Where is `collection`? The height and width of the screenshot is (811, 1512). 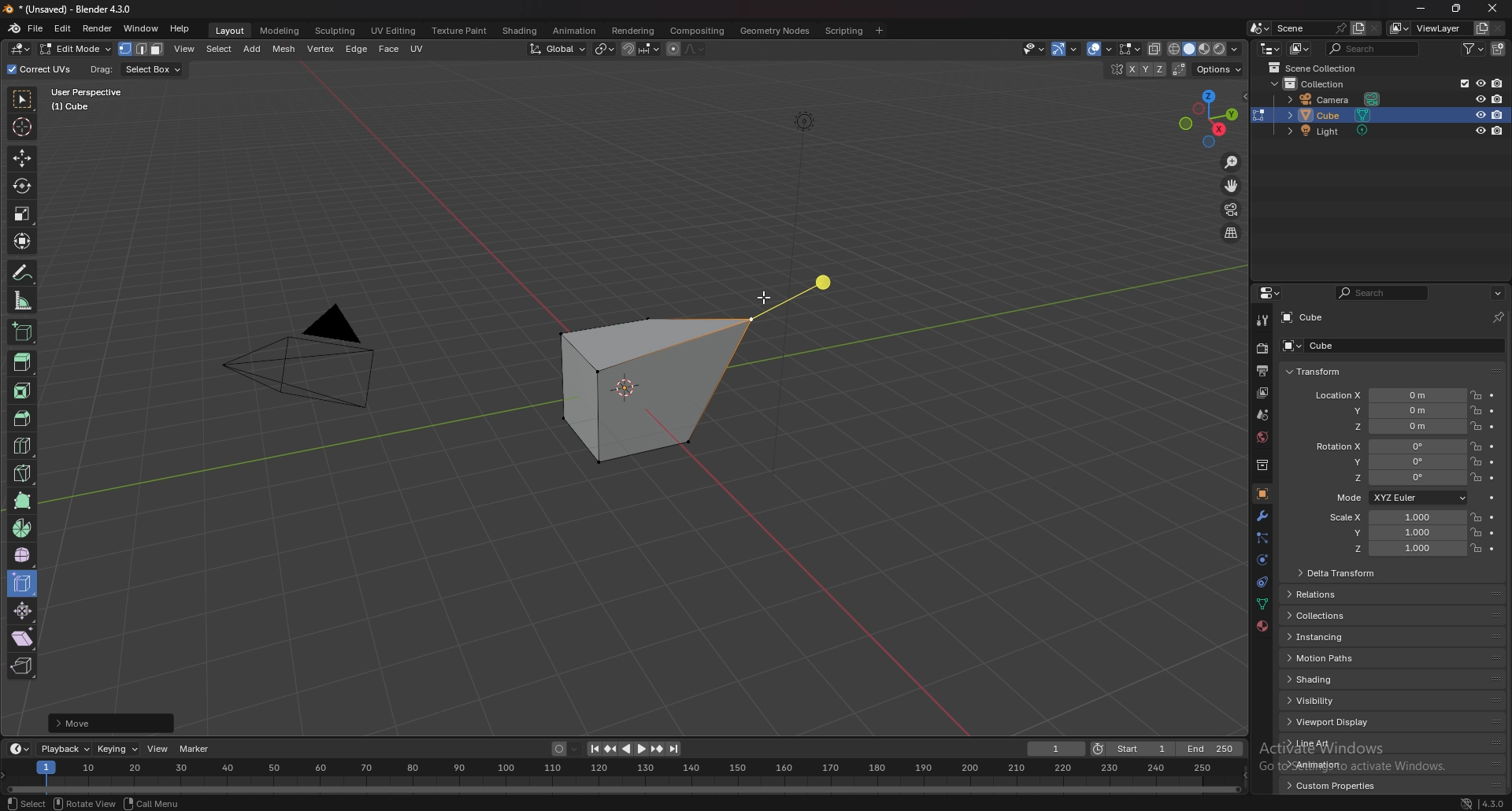 collection is located at coordinates (1317, 83).